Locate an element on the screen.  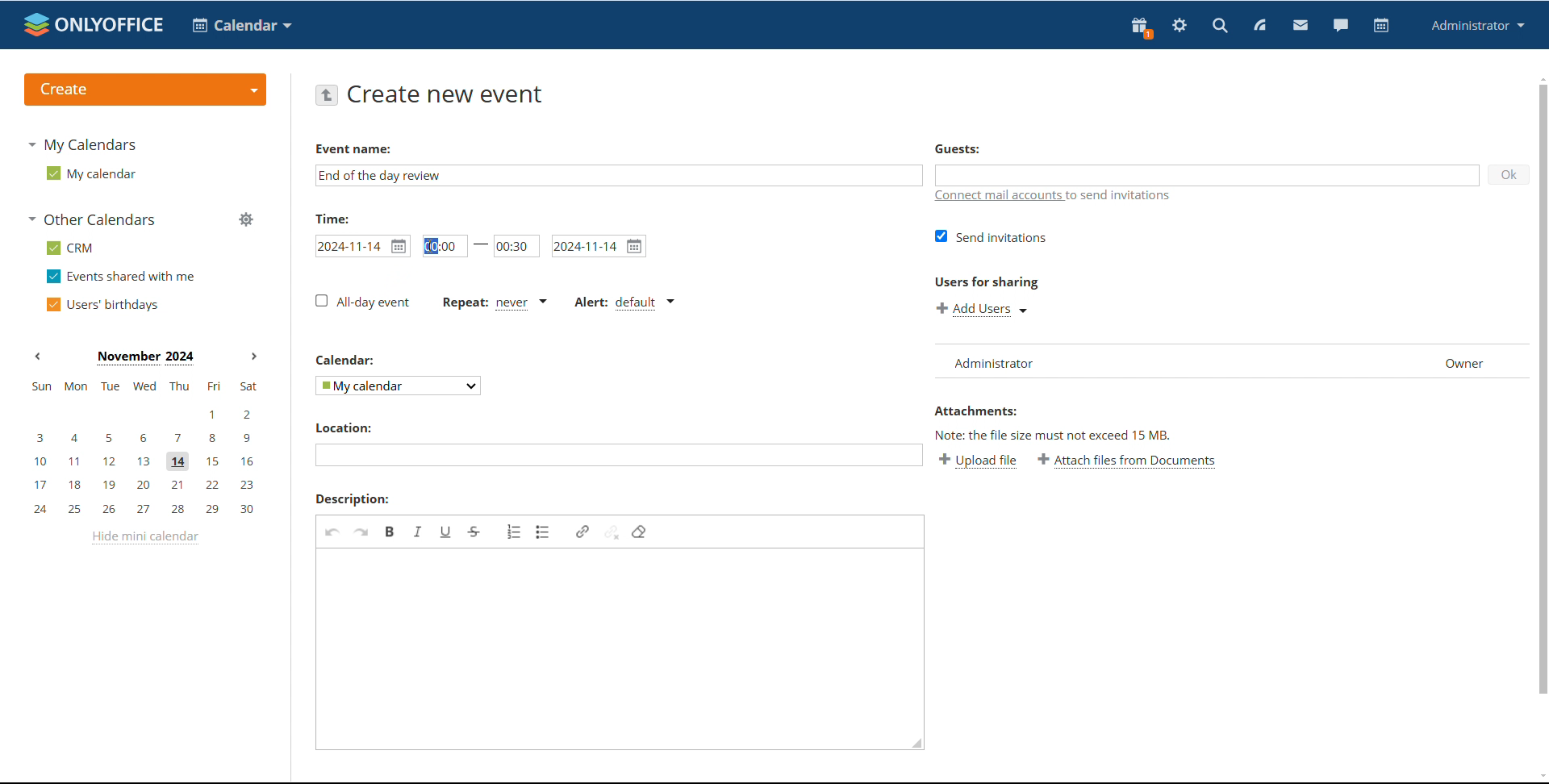
create is located at coordinates (145, 90).